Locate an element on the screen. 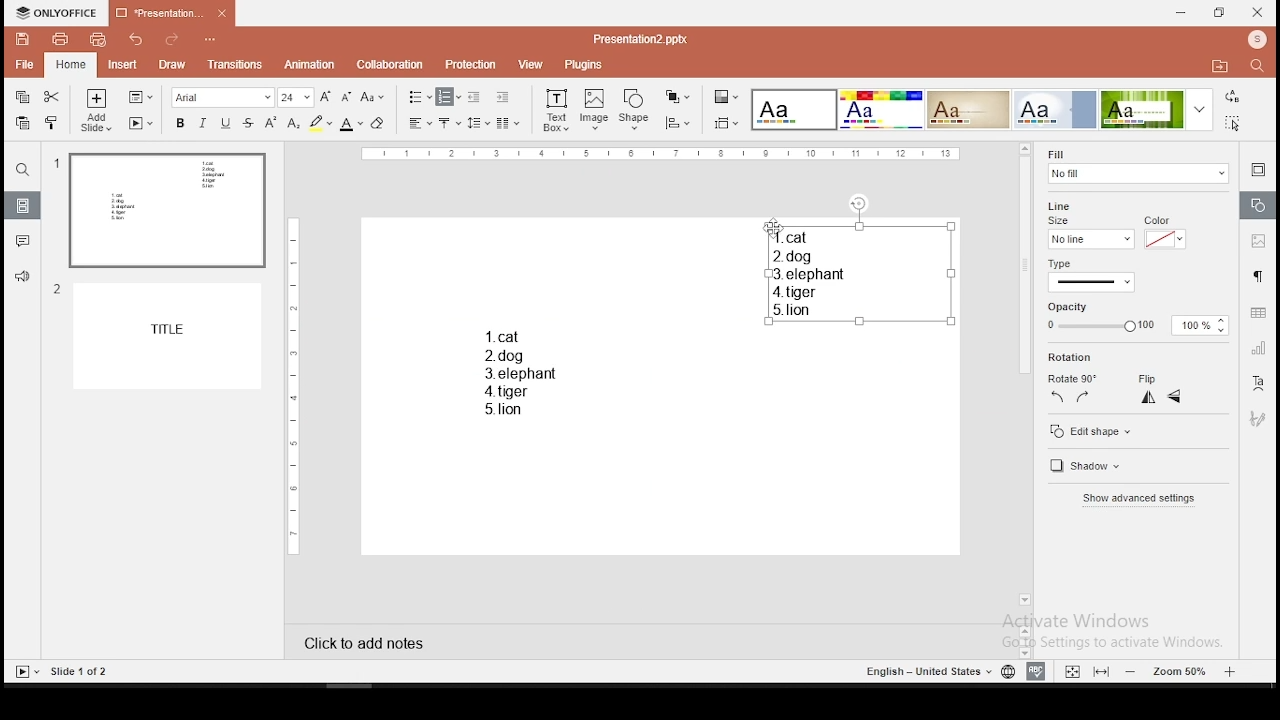  eraser tool is located at coordinates (380, 123).